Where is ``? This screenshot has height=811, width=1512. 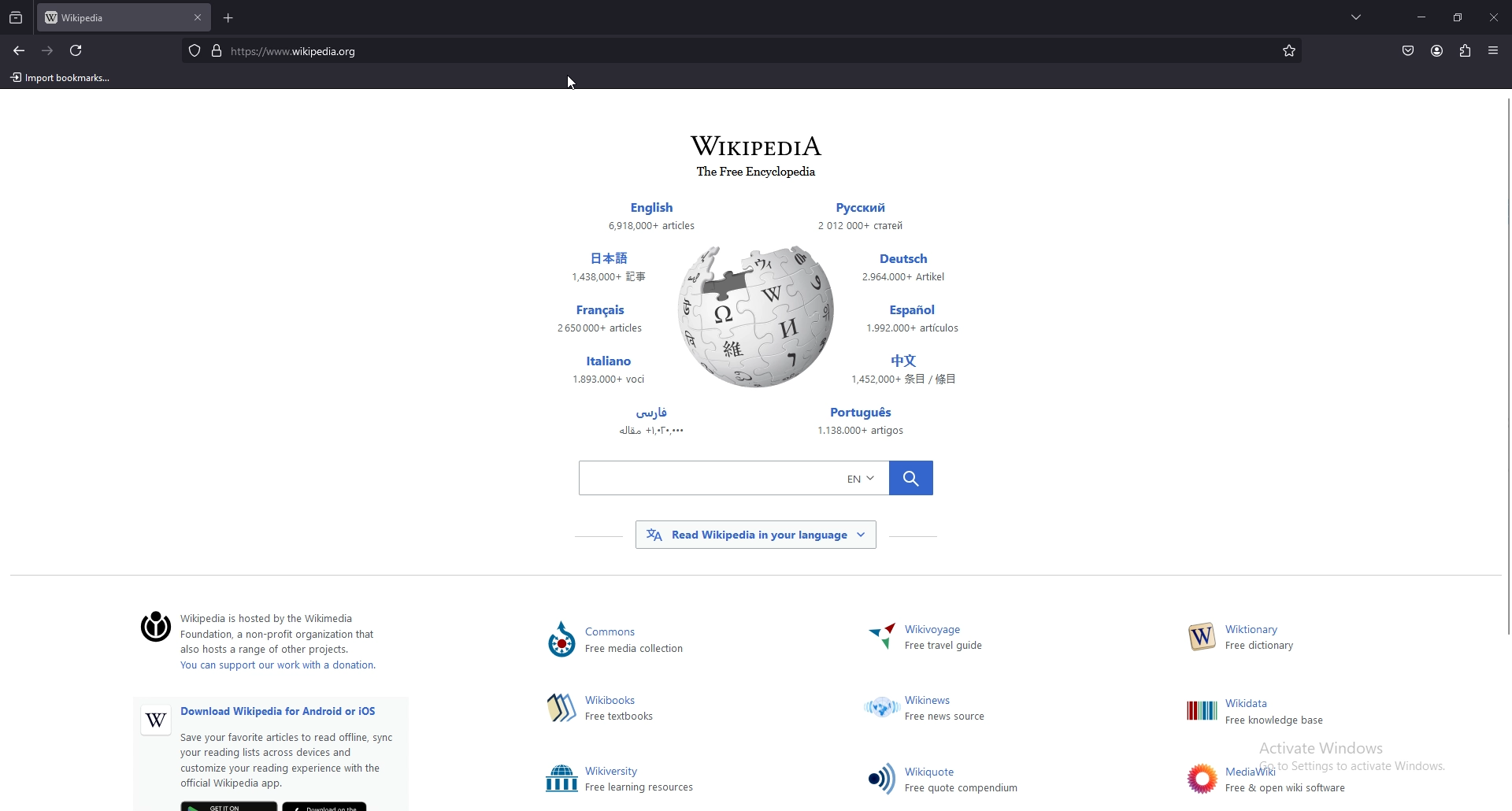
 is located at coordinates (598, 320).